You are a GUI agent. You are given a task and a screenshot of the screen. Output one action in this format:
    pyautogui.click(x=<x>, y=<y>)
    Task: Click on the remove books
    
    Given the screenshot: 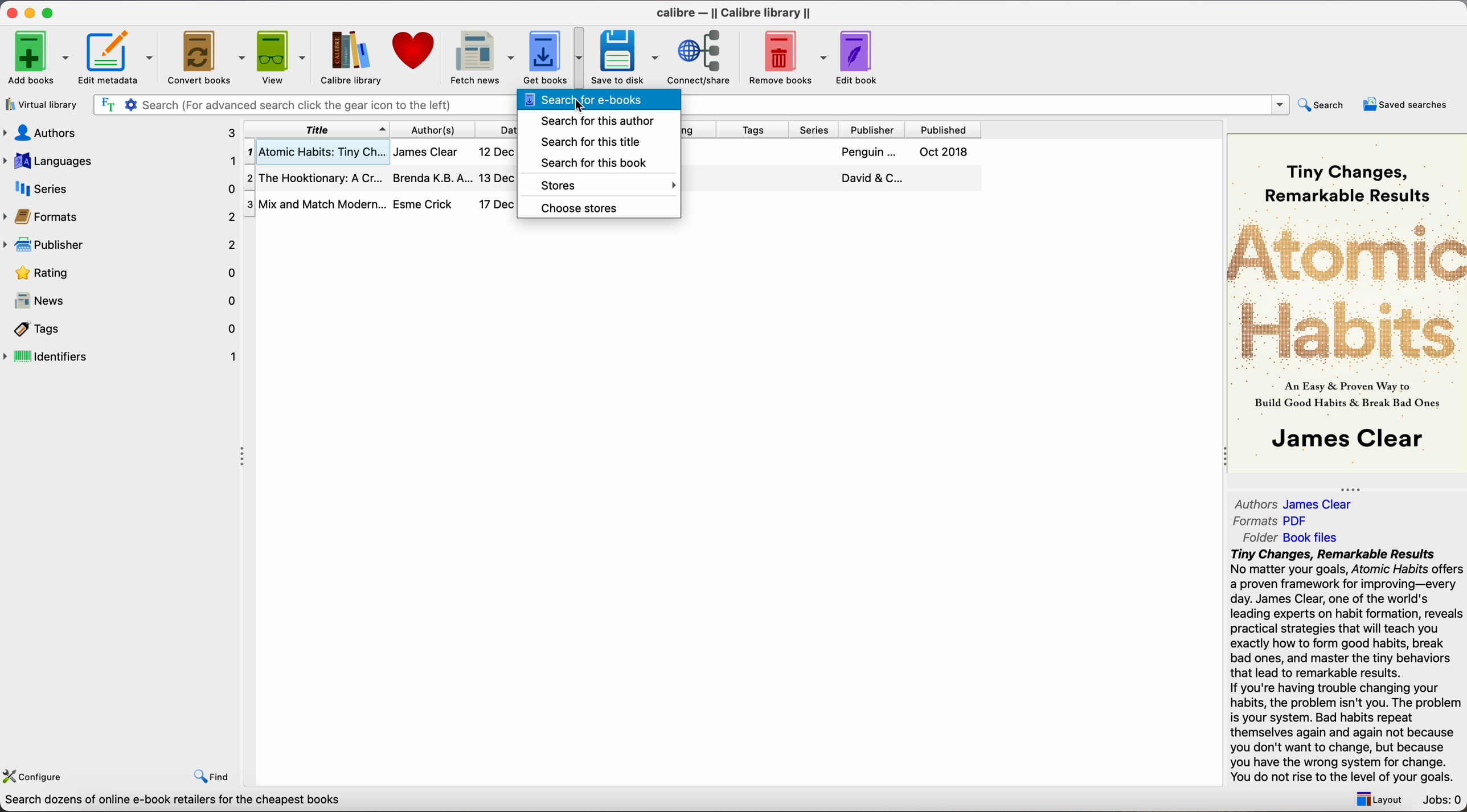 What is the action you would take?
    pyautogui.click(x=788, y=59)
    